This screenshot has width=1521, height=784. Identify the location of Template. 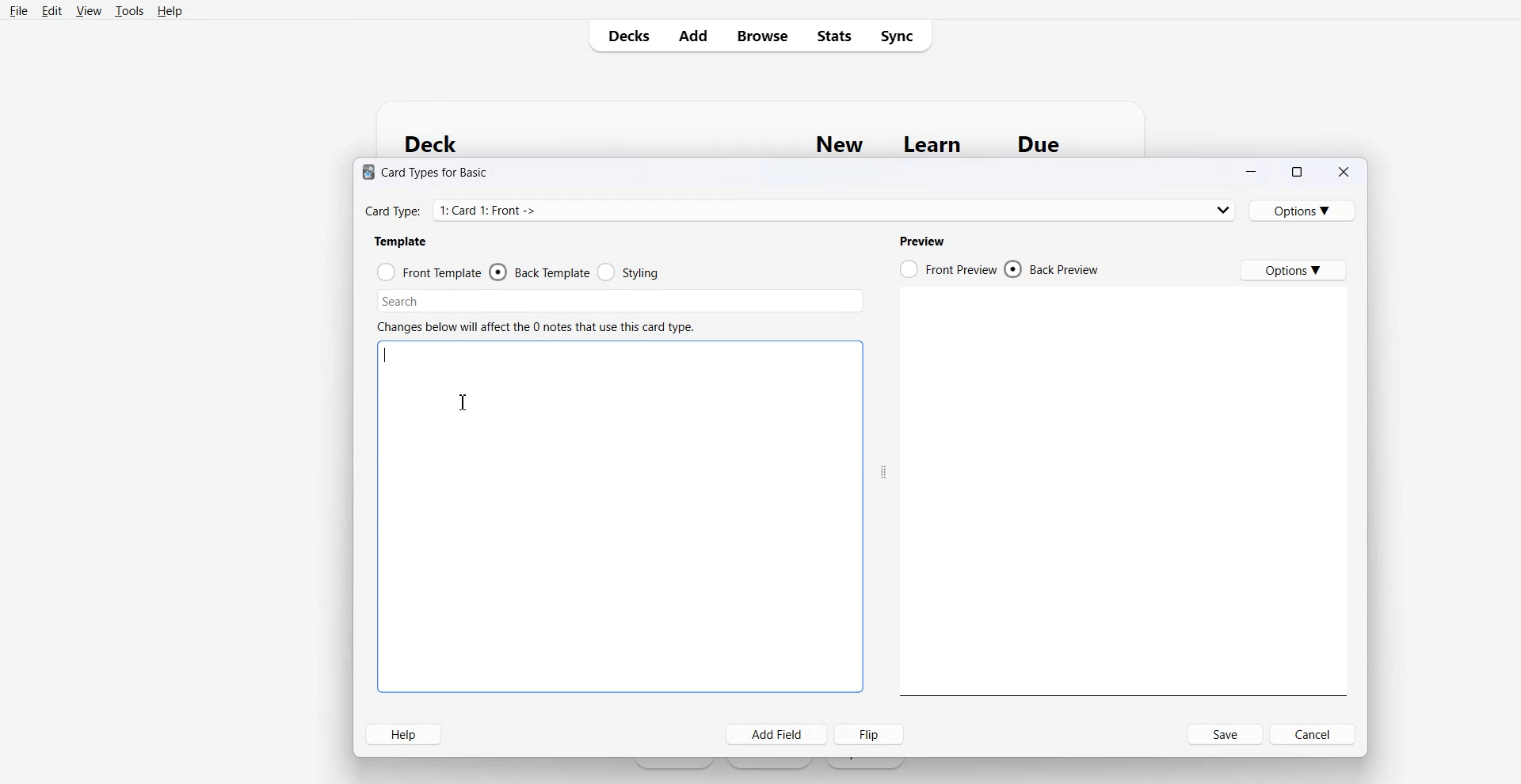
(407, 243).